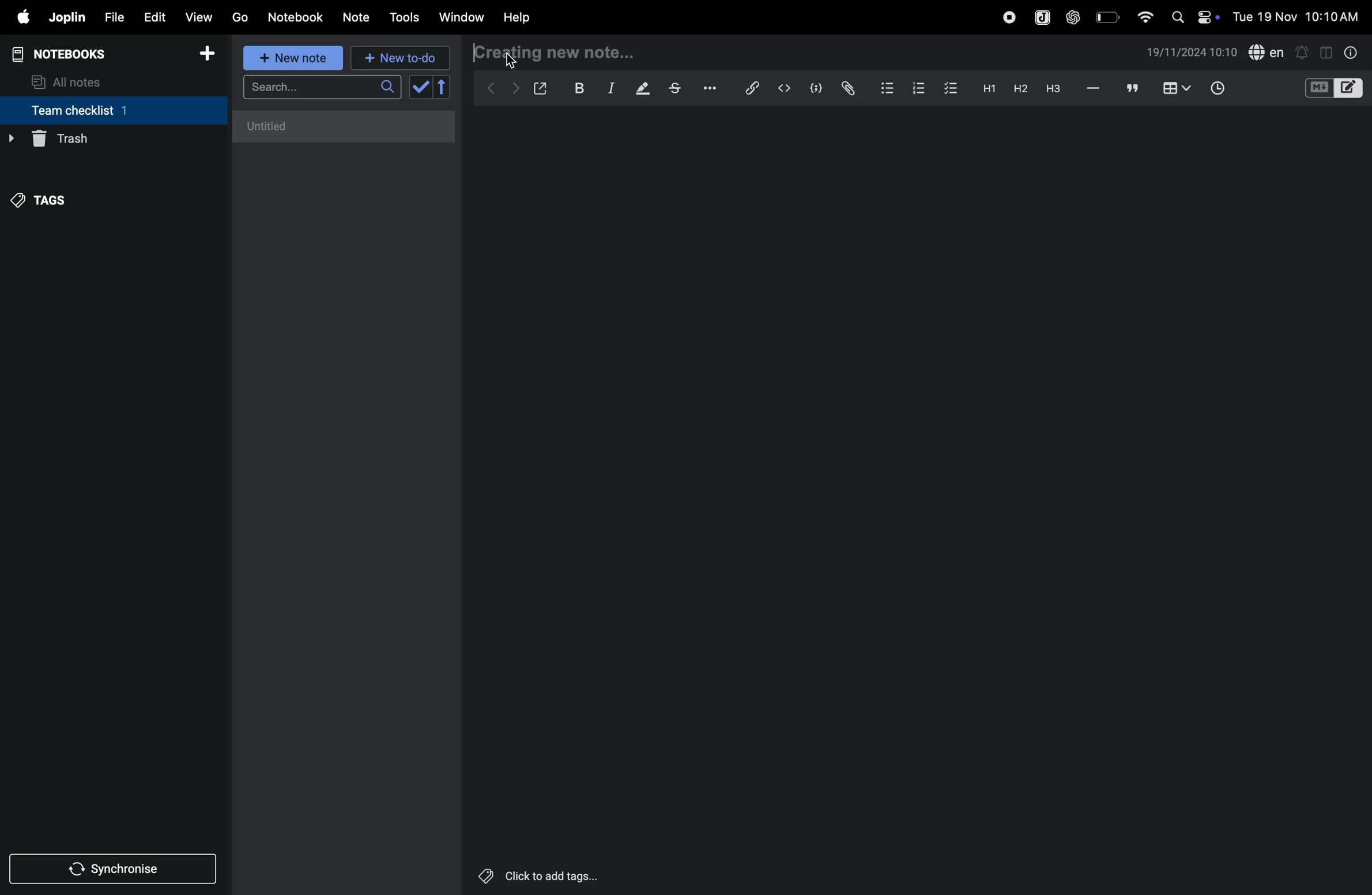 This screenshot has width=1372, height=895. I want to click on date and time, so click(1192, 54).